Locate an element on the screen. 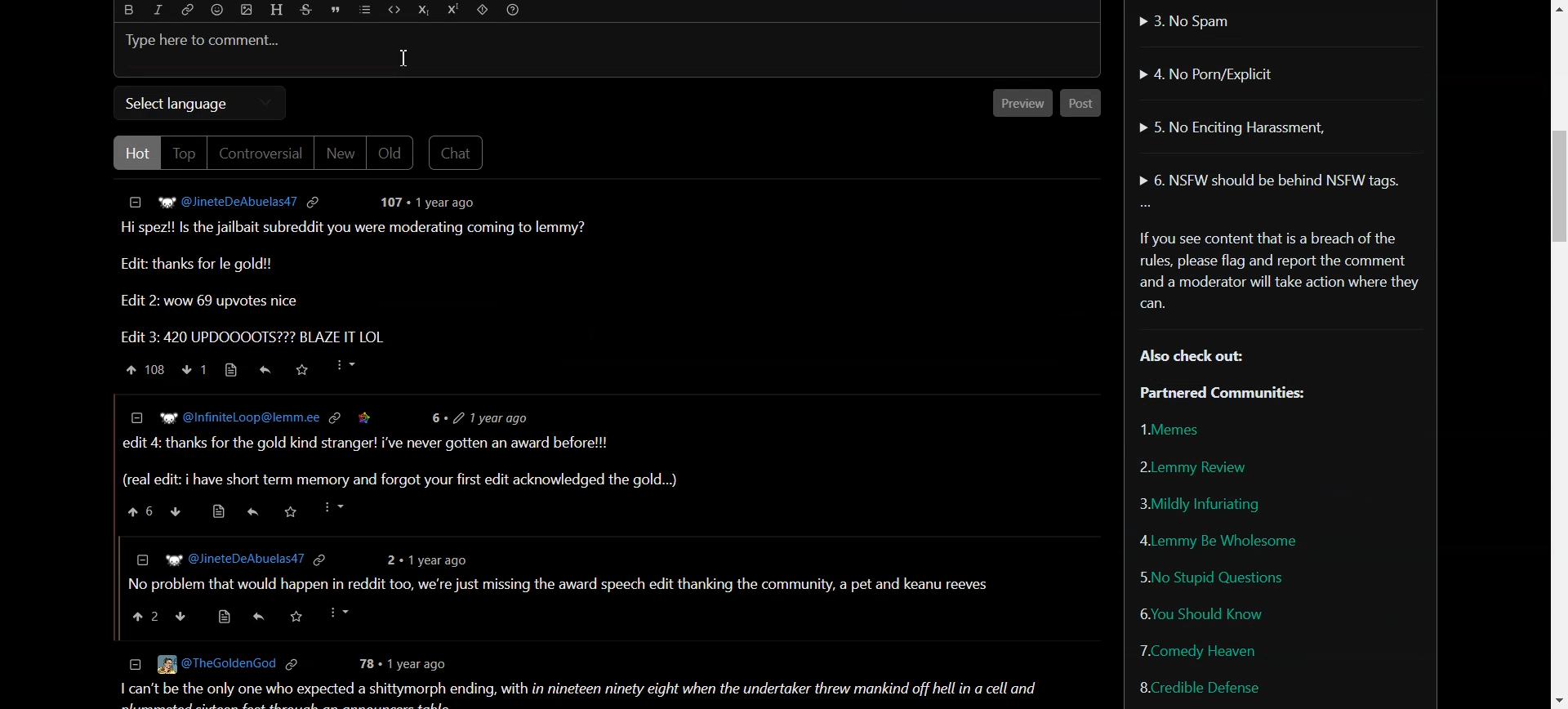 The width and height of the screenshot is (1568, 709). | edit 4: thanks for the gold kind stranger! i've never gotten an award before!!! is located at coordinates (367, 444).